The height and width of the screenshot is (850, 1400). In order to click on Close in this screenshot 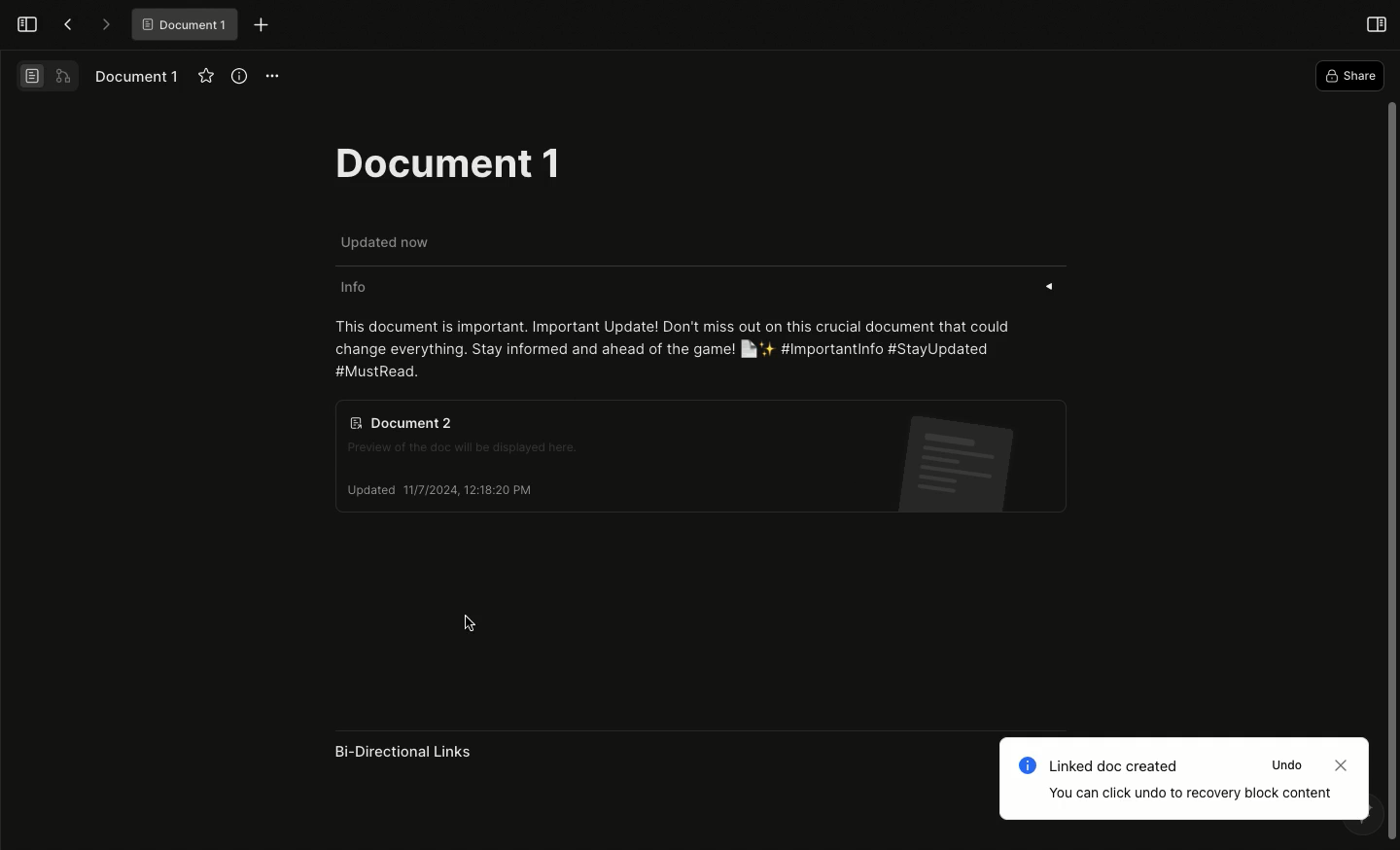, I will do `click(1344, 765)`.